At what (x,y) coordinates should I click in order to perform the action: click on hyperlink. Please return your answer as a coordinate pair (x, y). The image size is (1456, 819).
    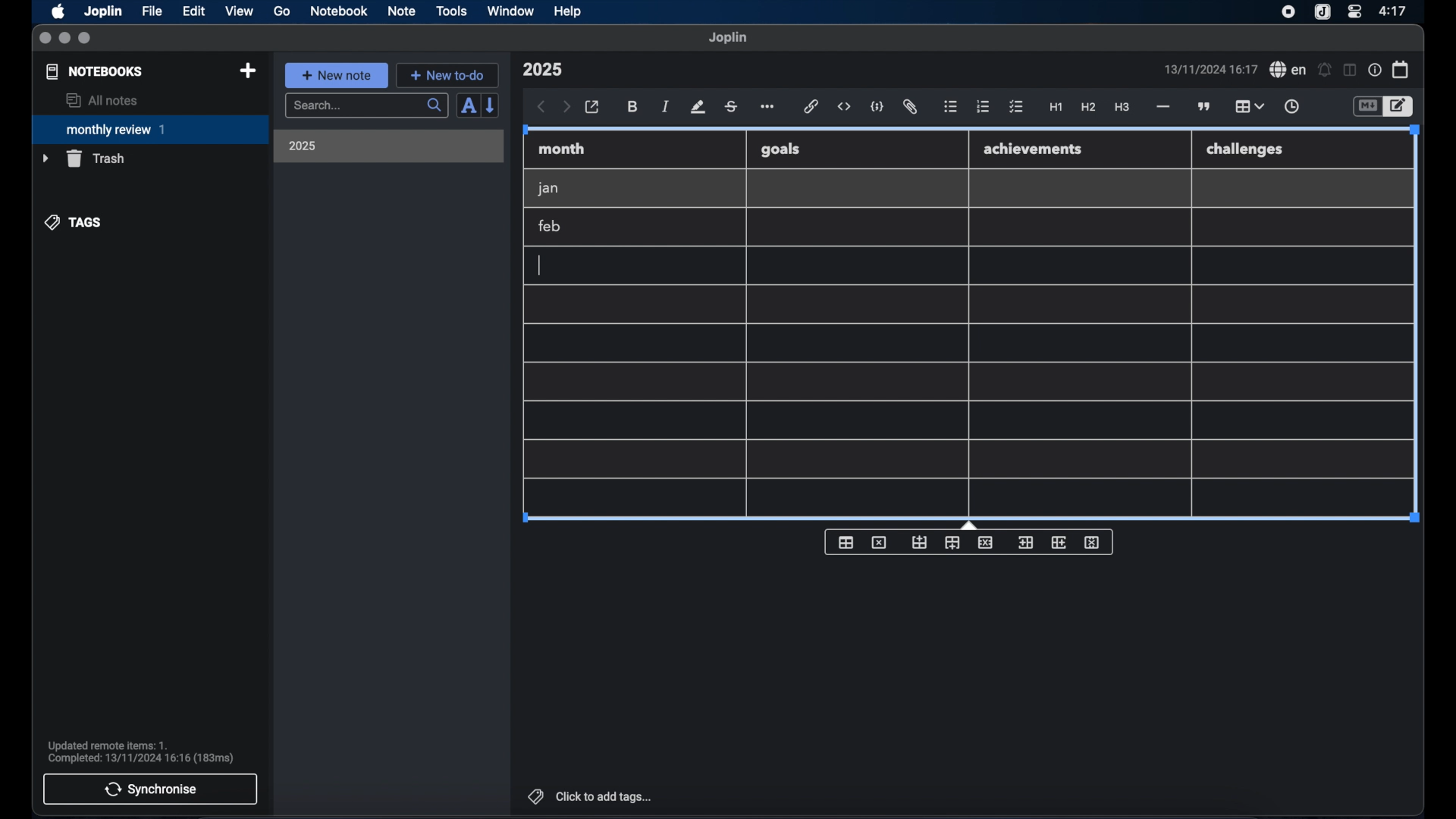
    Looking at the image, I should click on (811, 106).